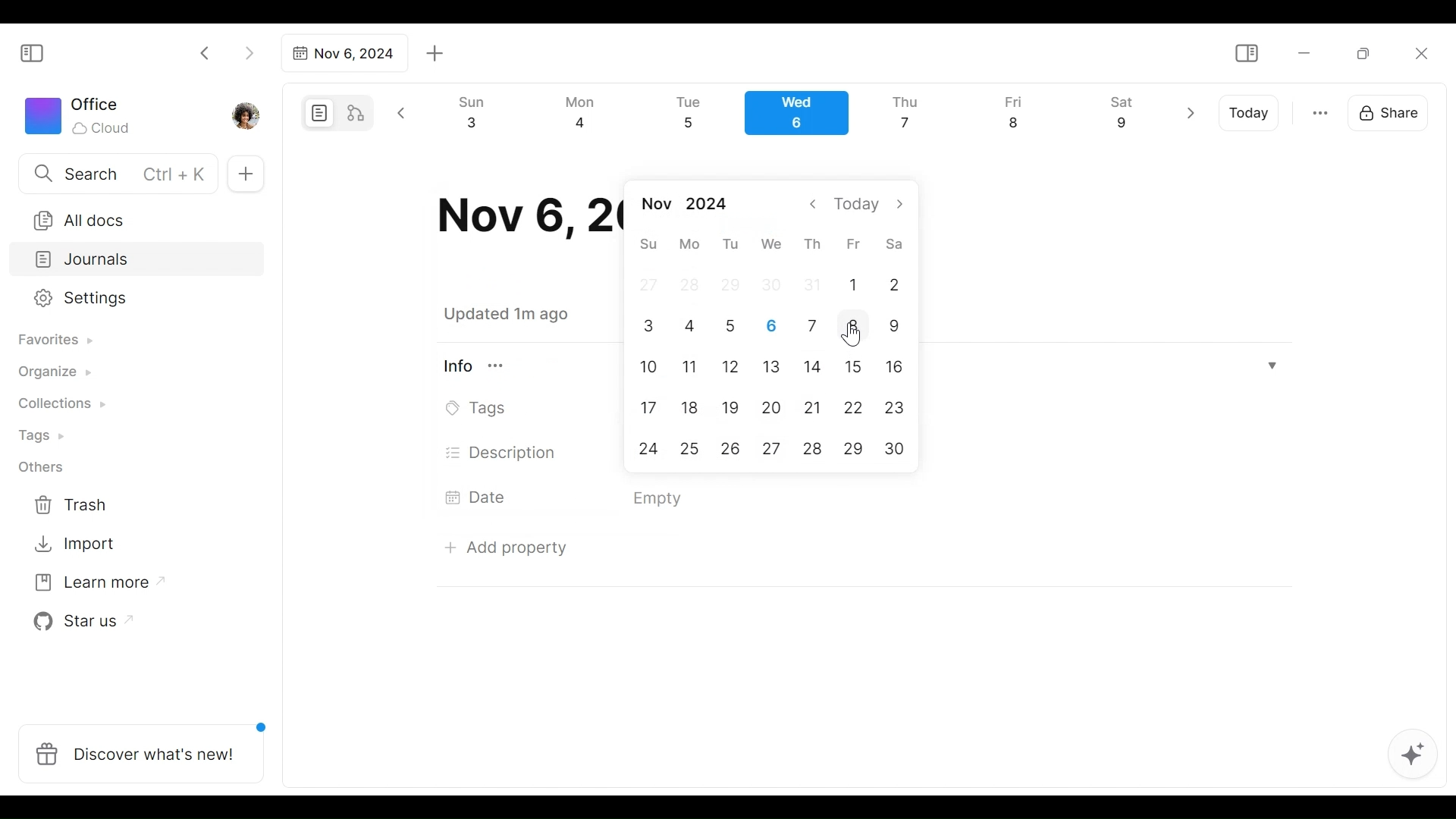 Image resolution: width=1456 pixels, height=819 pixels. I want to click on Click to go back, so click(206, 52).